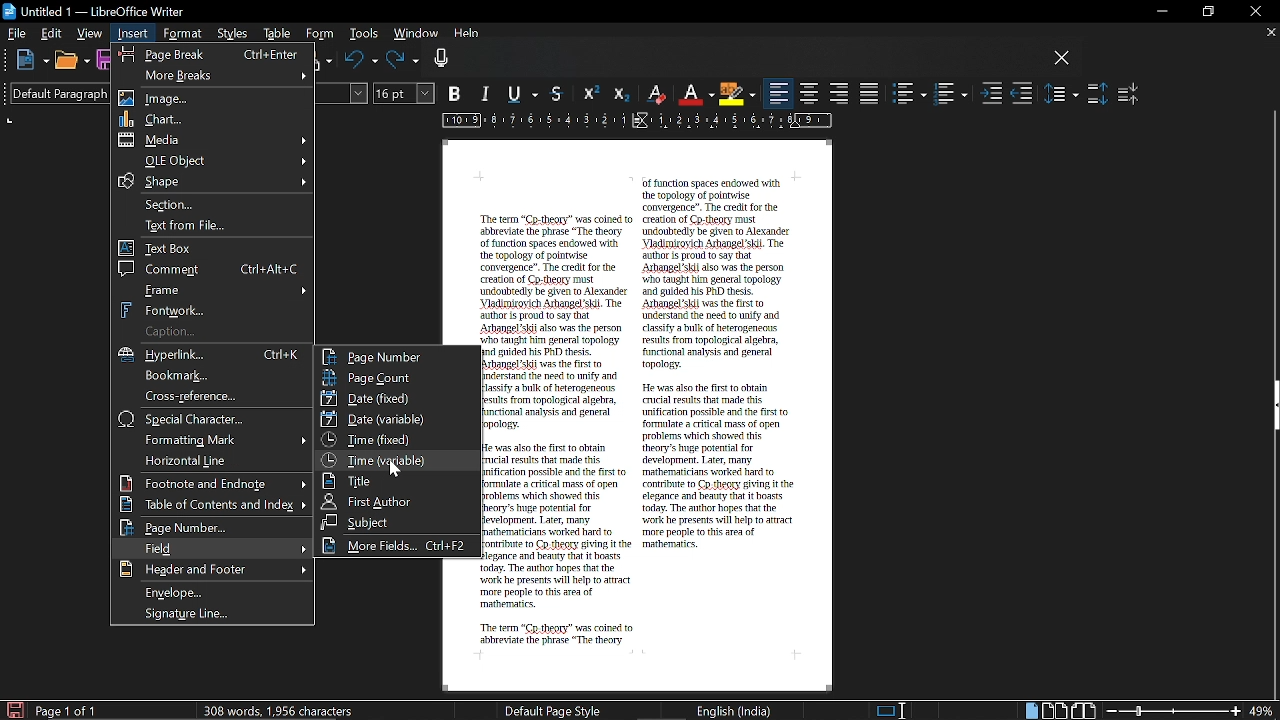 This screenshot has width=1280, height=720. What do you see at coordinates (394, 397) in the screenshot?
I see `Date` at bounding box center [394, 397].